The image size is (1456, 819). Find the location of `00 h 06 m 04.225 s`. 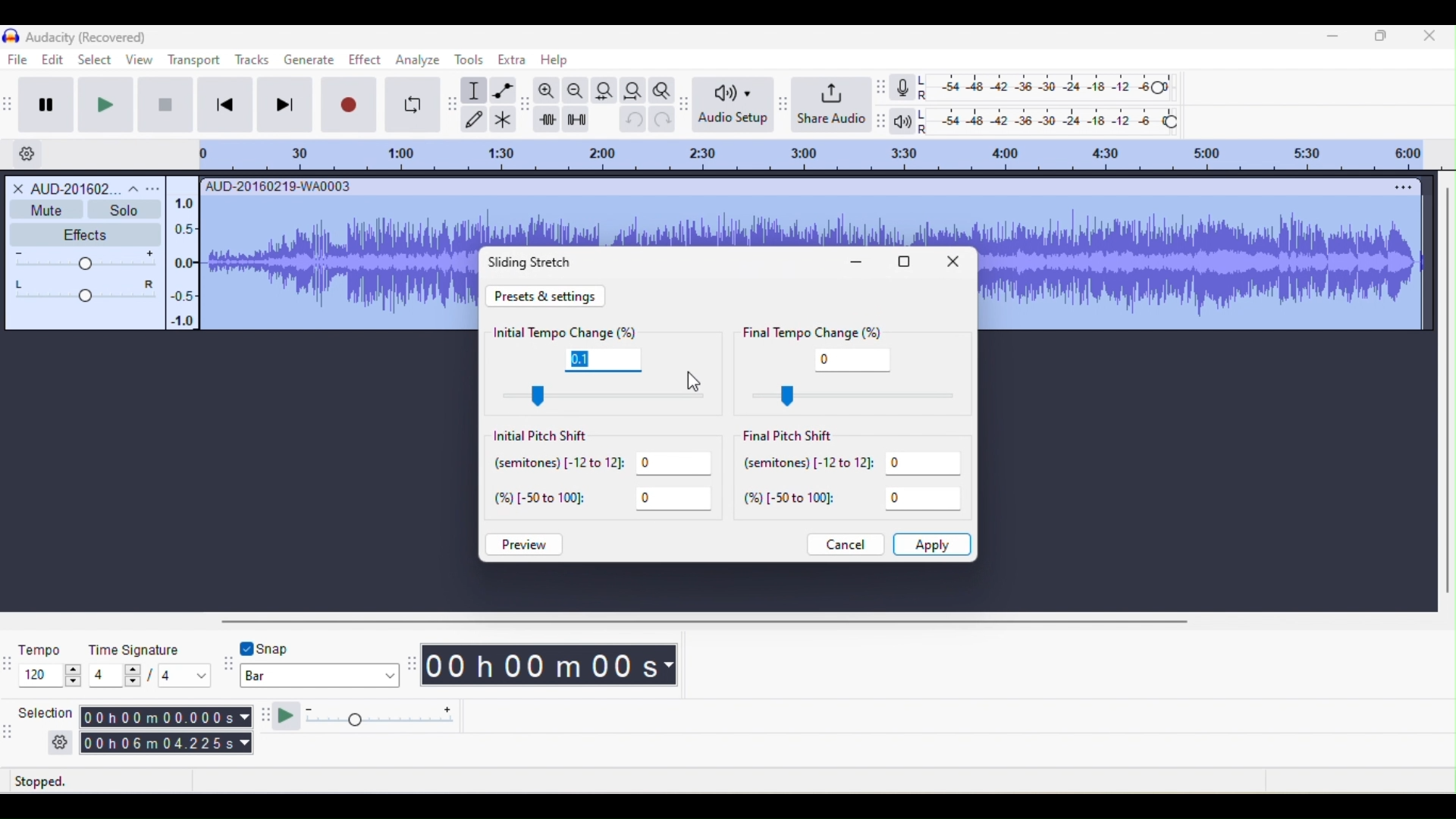

00 h 06 m 04.225 s is located at coordinates (166, 745).